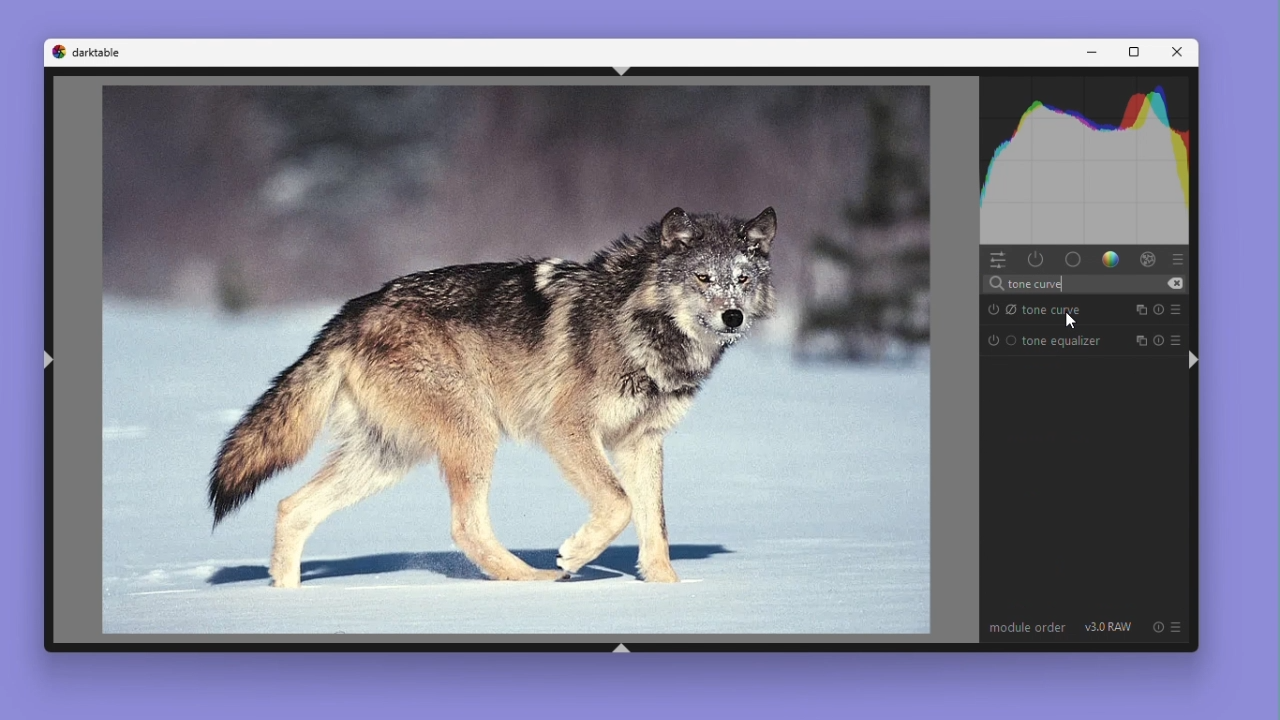 This screenshot has height=720, width=1280. I want to click on Module order , so click(1027, 629).